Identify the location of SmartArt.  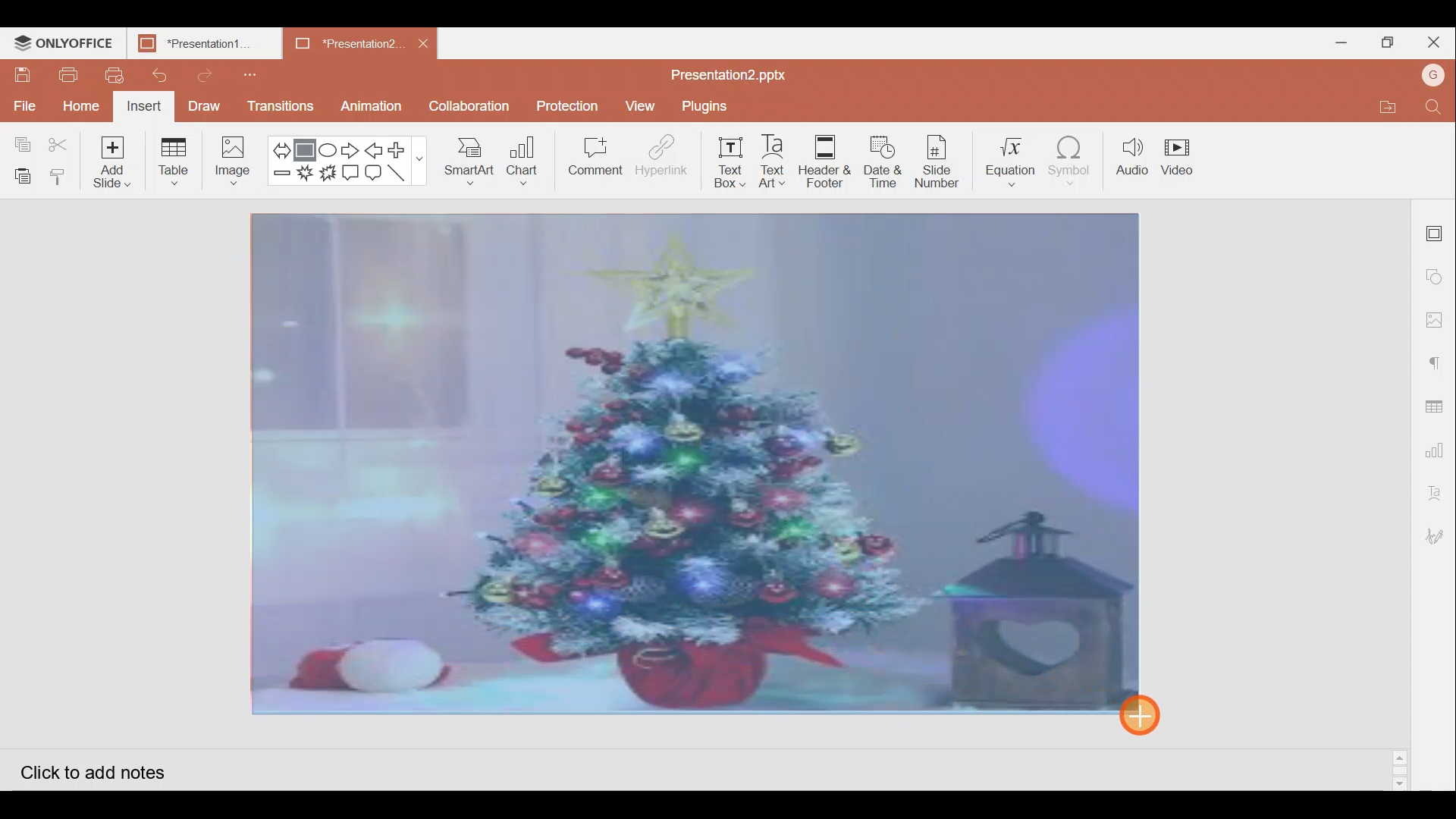
(468, 164).